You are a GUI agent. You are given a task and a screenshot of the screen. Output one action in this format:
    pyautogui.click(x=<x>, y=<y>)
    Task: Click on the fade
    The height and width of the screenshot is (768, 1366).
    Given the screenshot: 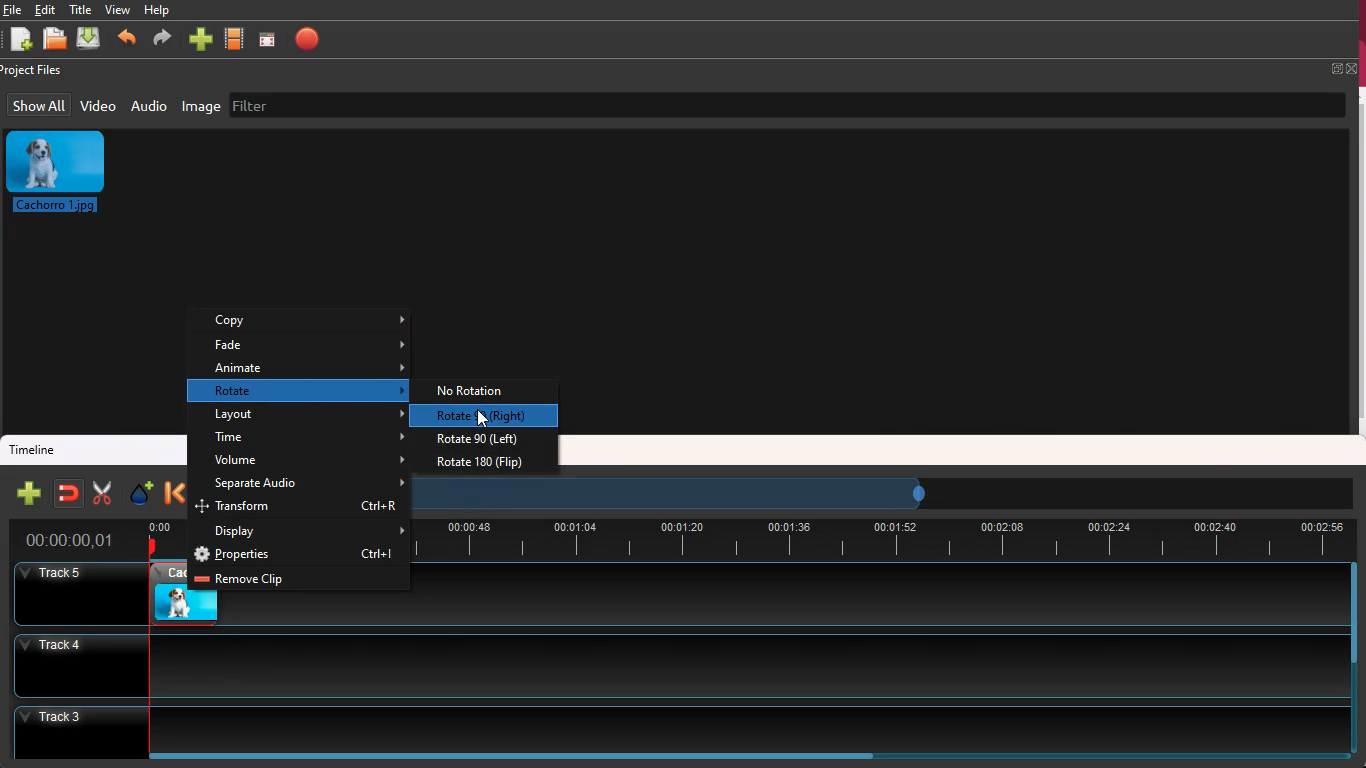 What is the action you would take?
    pyautogui.click(x=307, y=346)
    